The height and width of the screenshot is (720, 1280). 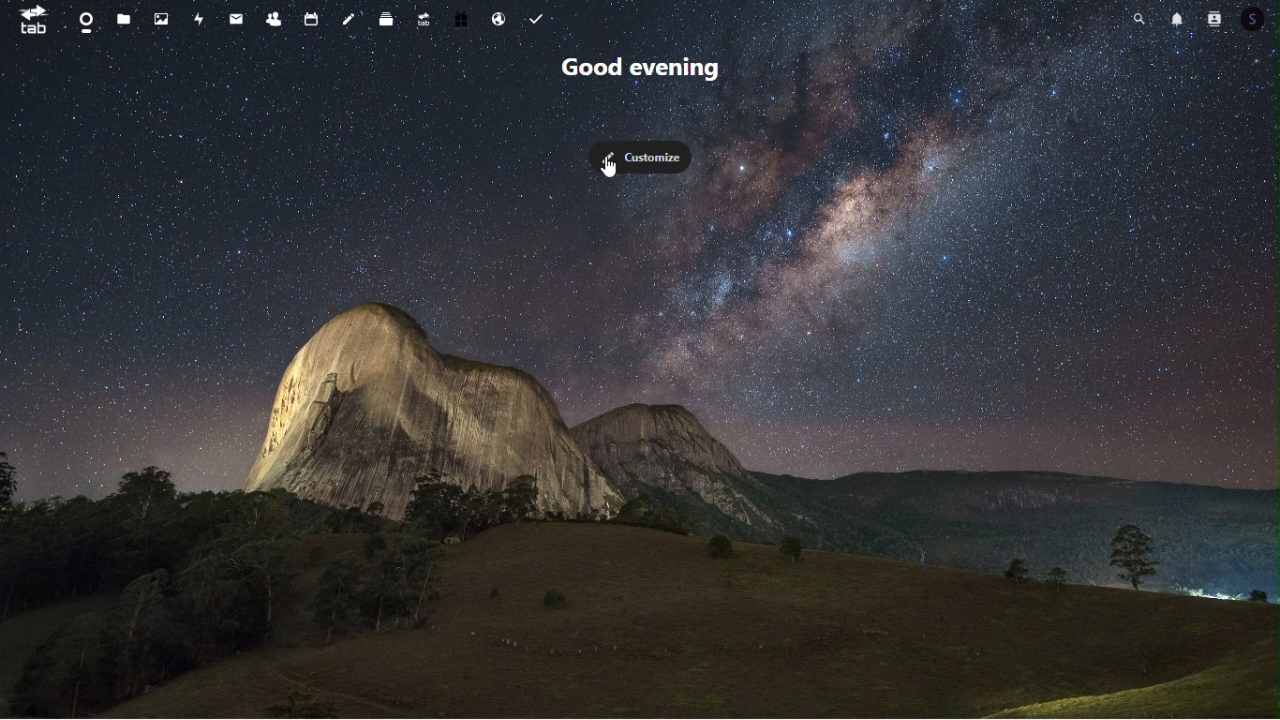 I want to click on Activity, so click(x=199, y=18).